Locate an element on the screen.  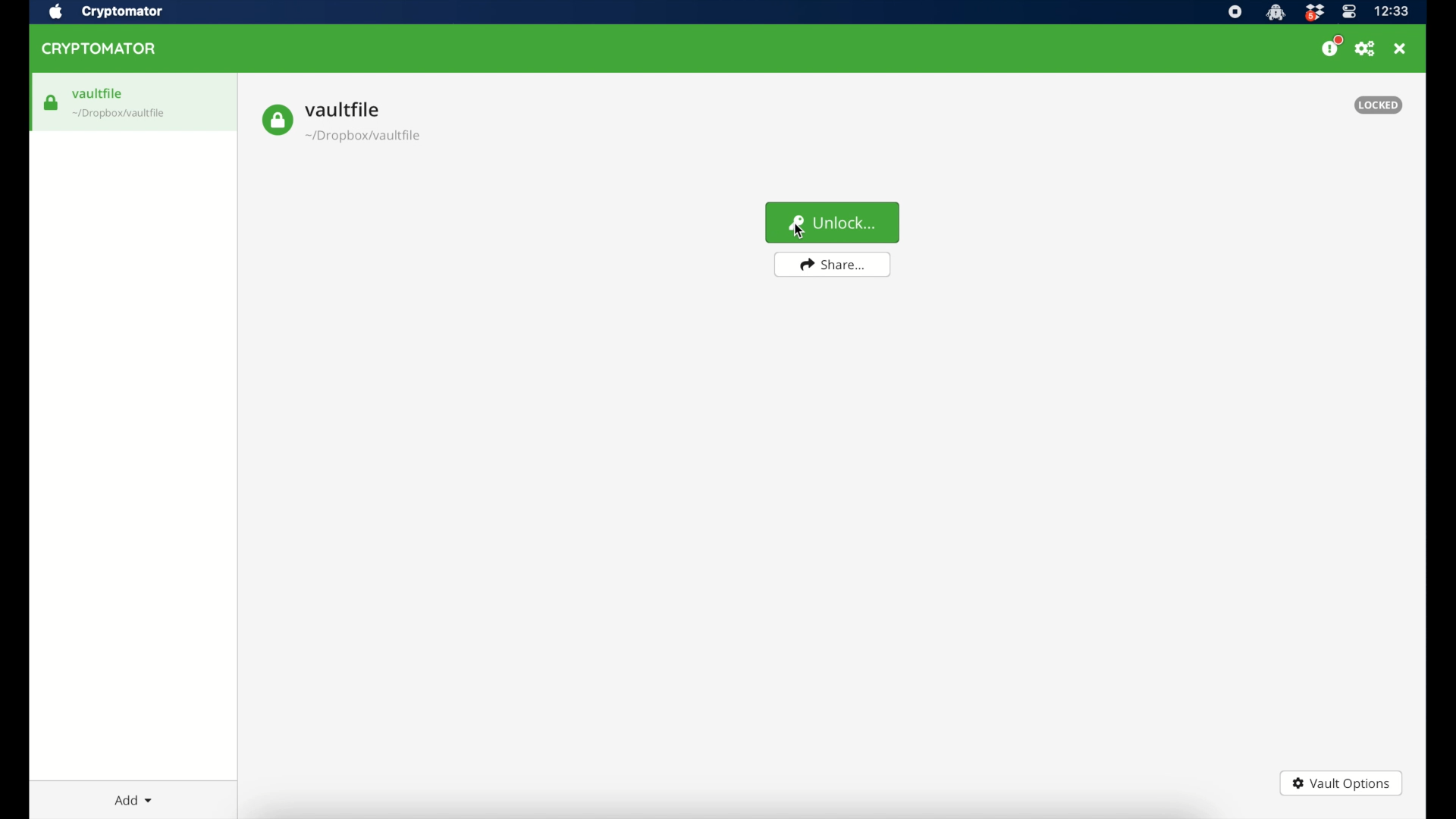
add is located at coordinates (133, 800).